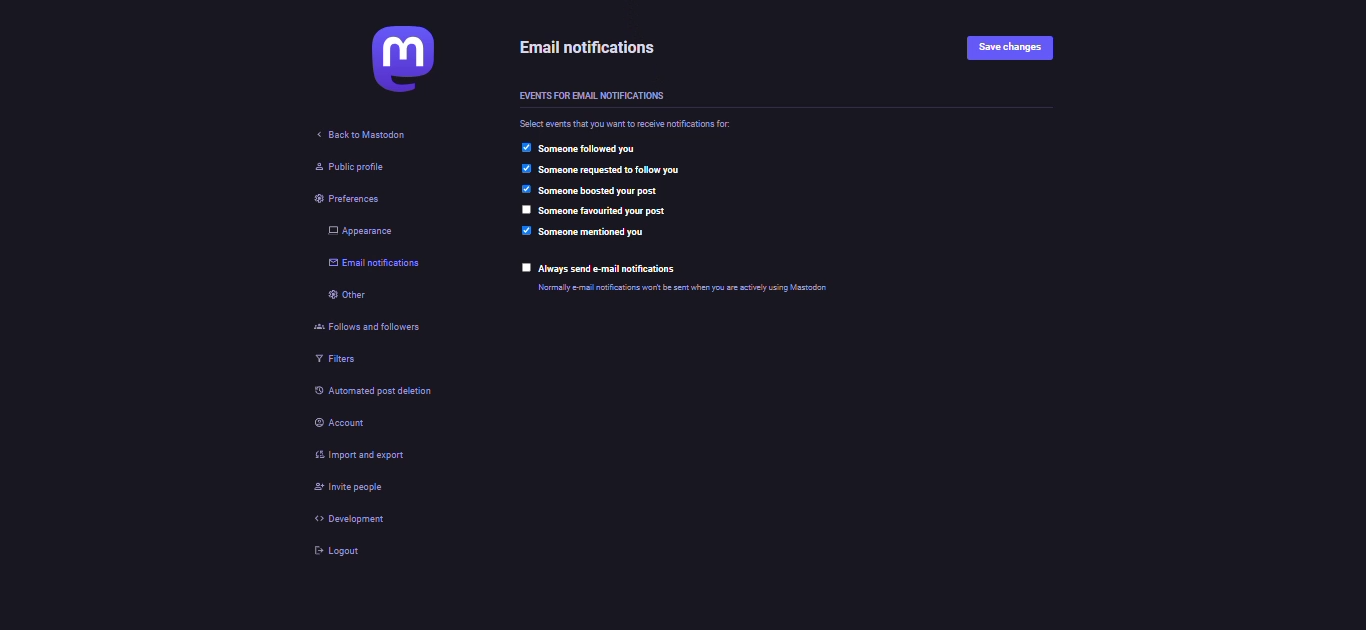 Image resolution: width=1366 pixels, height=630 pixels. What do you see at coordinates (331, 202) in the screenshot?
I see `preferences` at bounding box center [331, 202].